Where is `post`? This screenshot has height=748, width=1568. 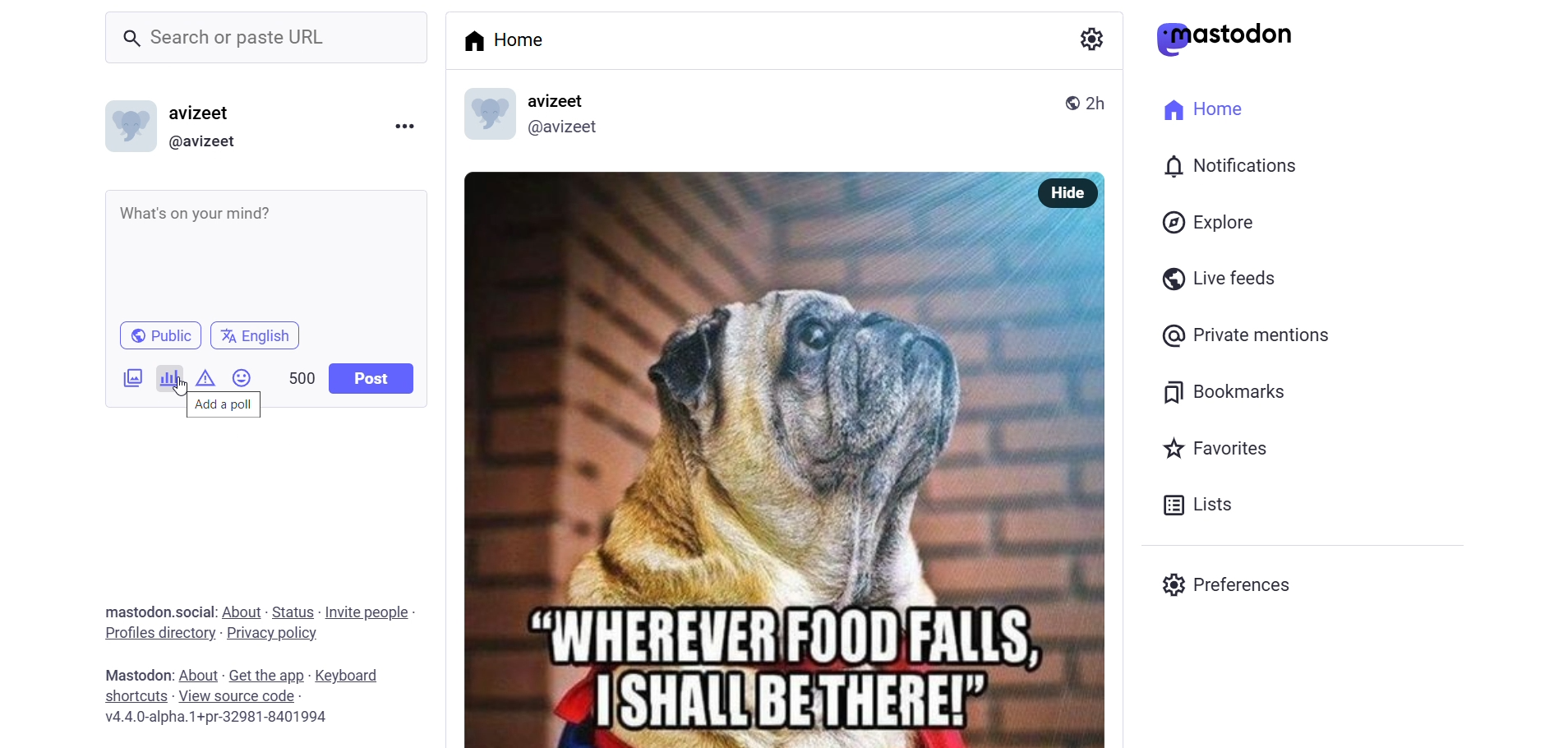 post is located at coordinates (373, 378).